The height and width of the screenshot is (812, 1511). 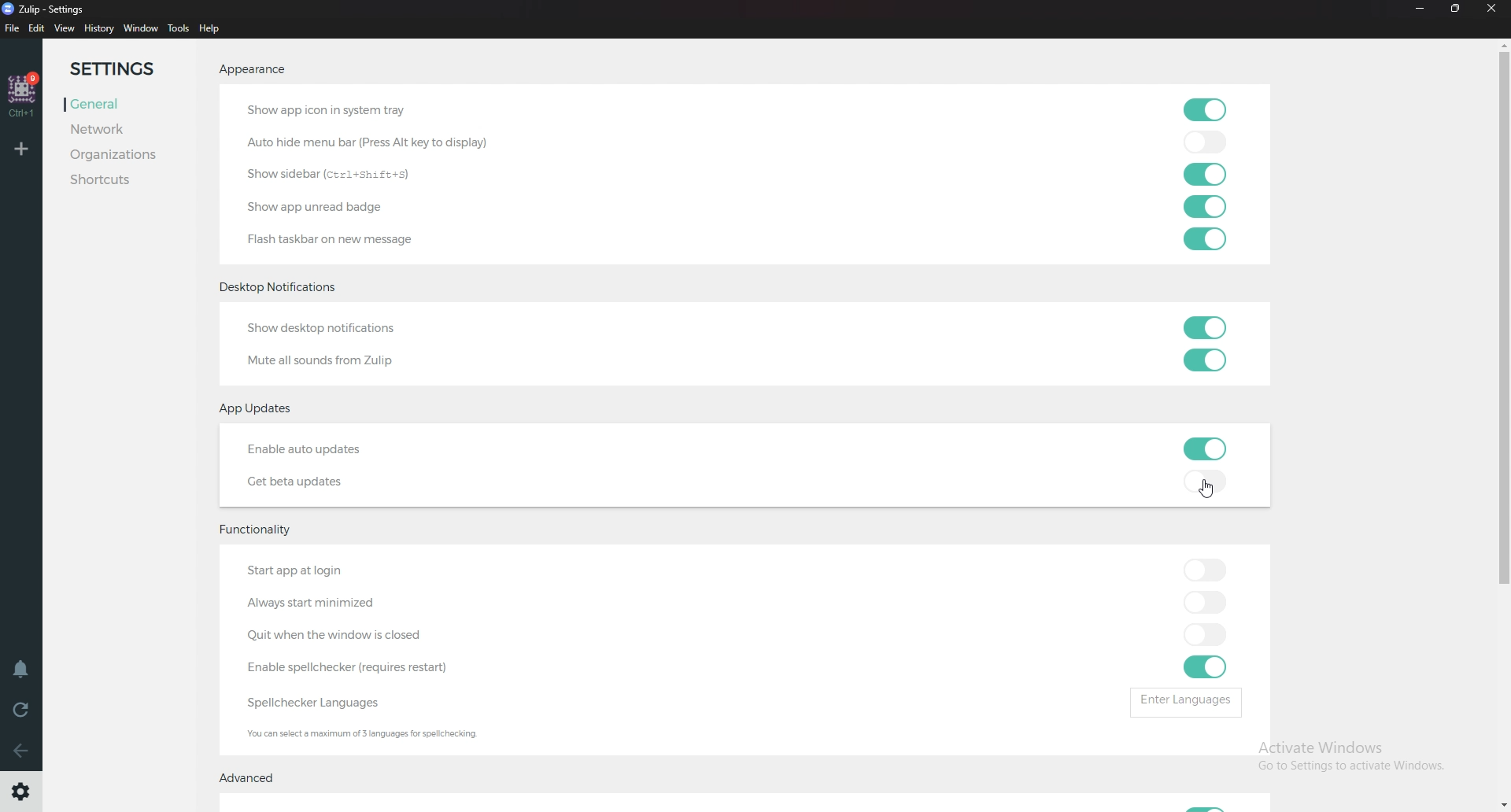 I want to click on toggle, so click(x=1206, y=482).